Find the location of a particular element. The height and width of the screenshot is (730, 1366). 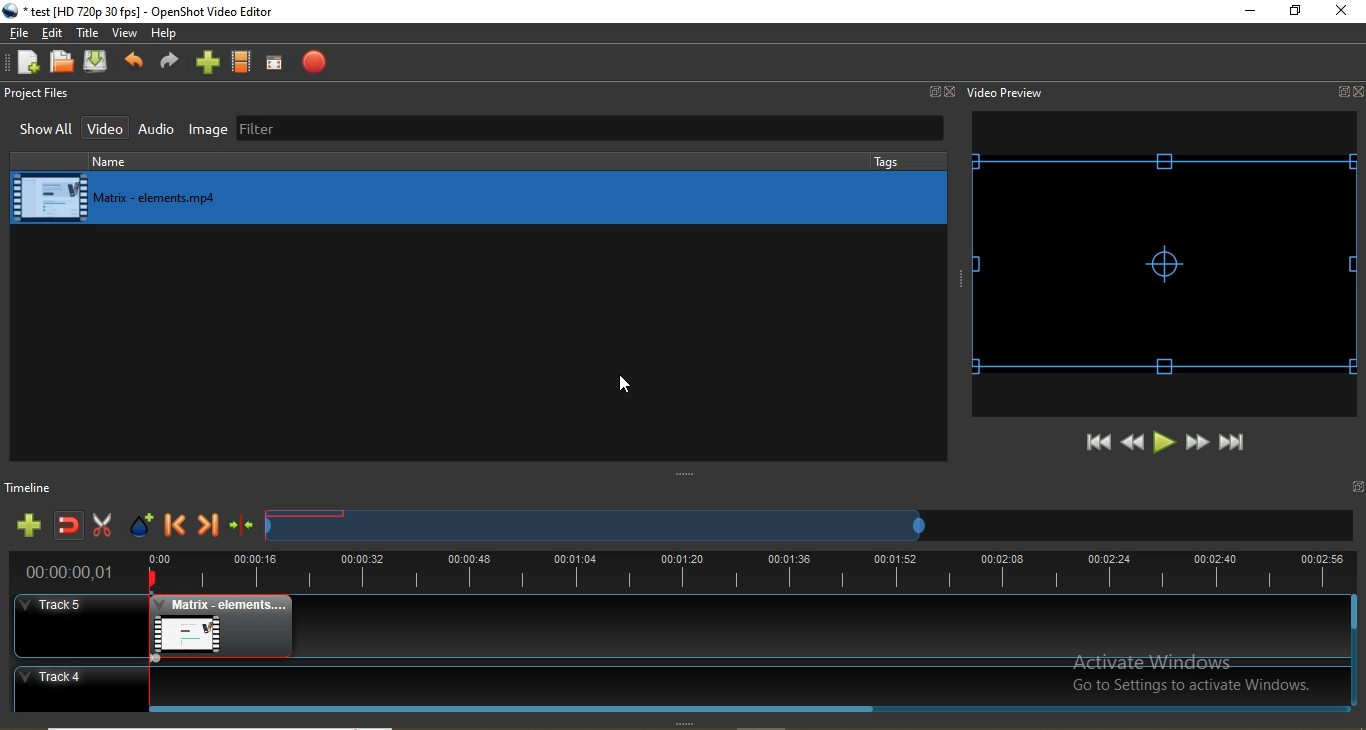

Timeline is located at coordinates (691, 572).